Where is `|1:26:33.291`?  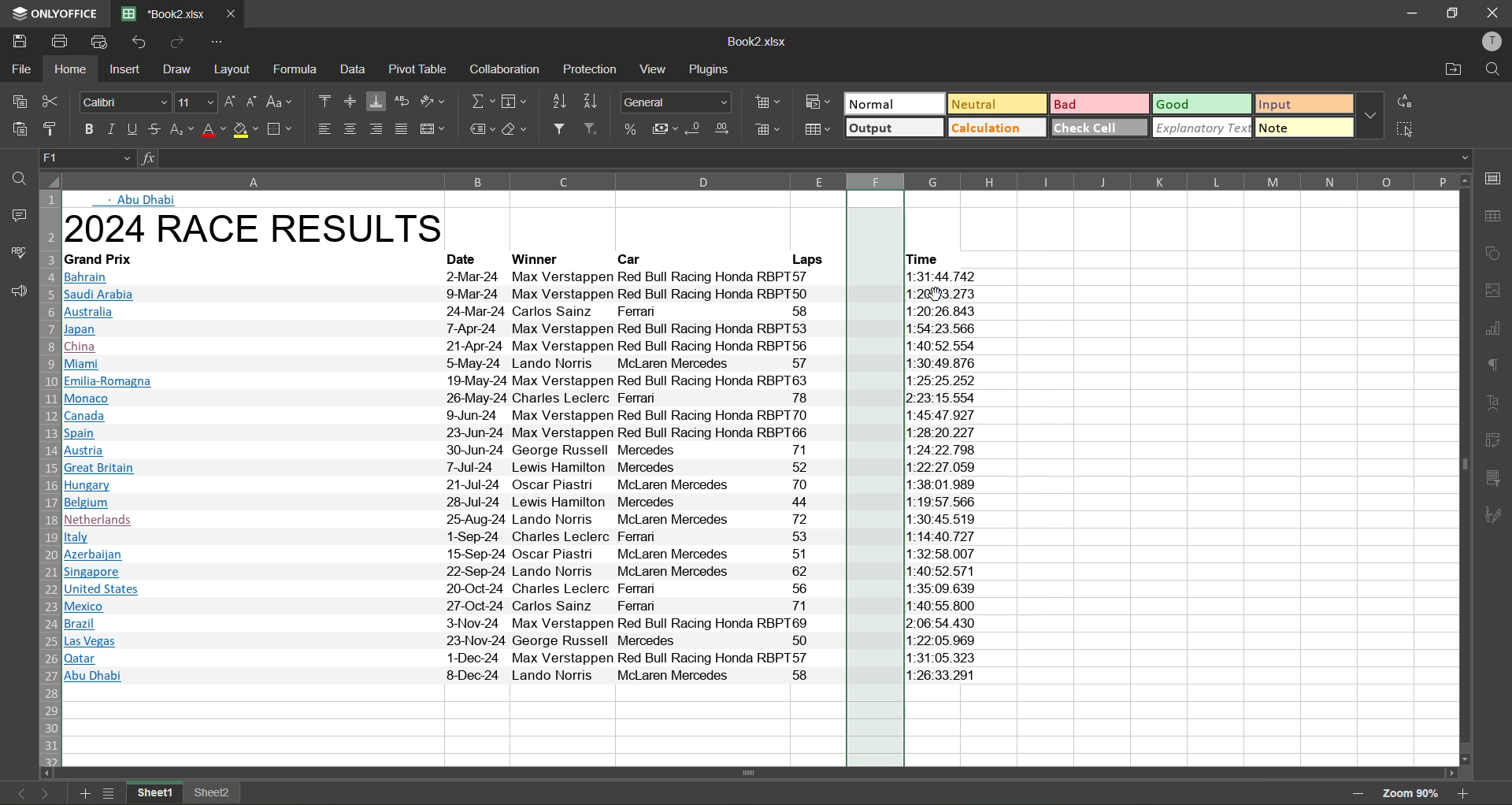
|1:26:33.291 is located at coordinates (944, 677).